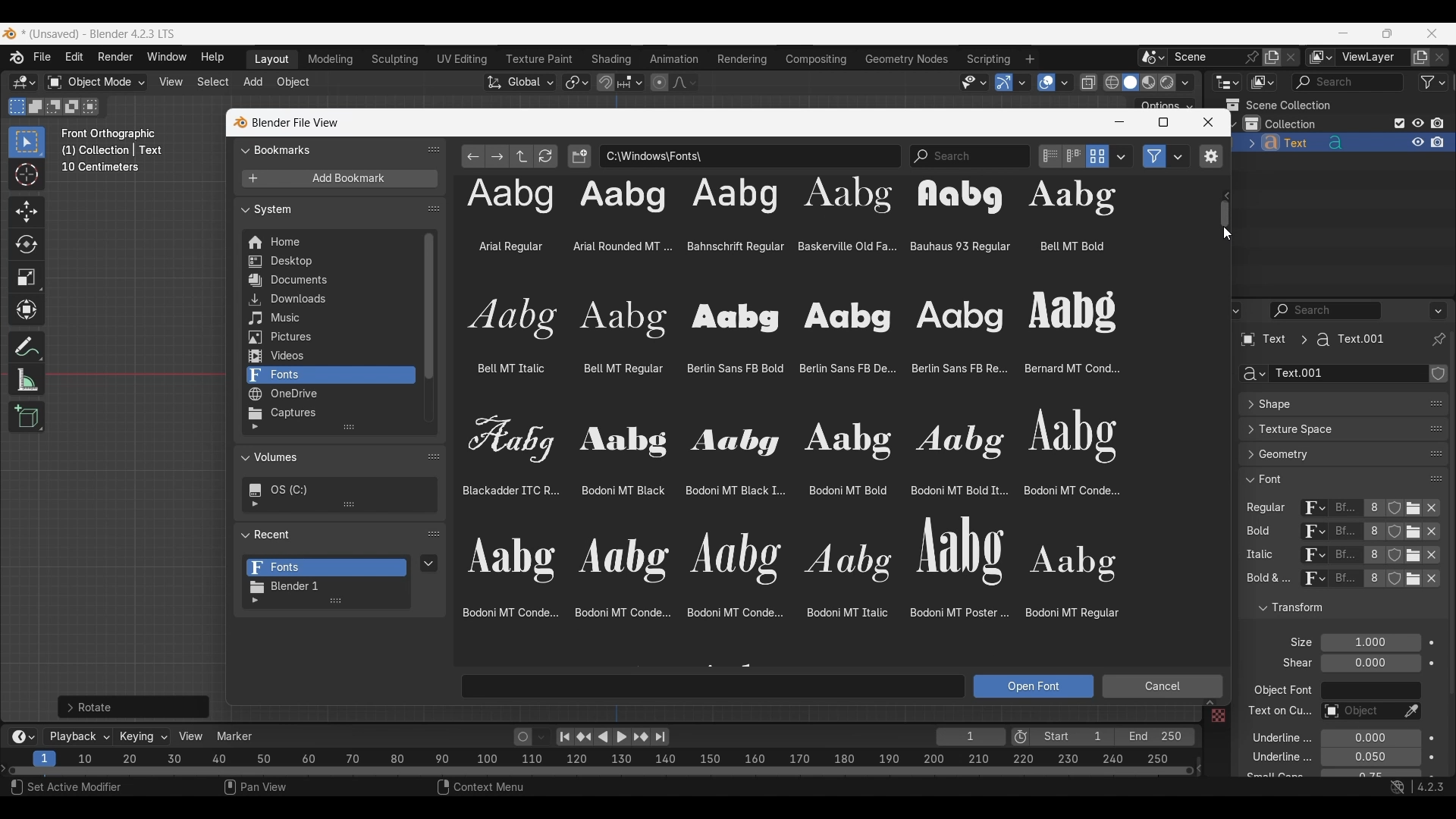  I want to click on text, so click(1272, 776).